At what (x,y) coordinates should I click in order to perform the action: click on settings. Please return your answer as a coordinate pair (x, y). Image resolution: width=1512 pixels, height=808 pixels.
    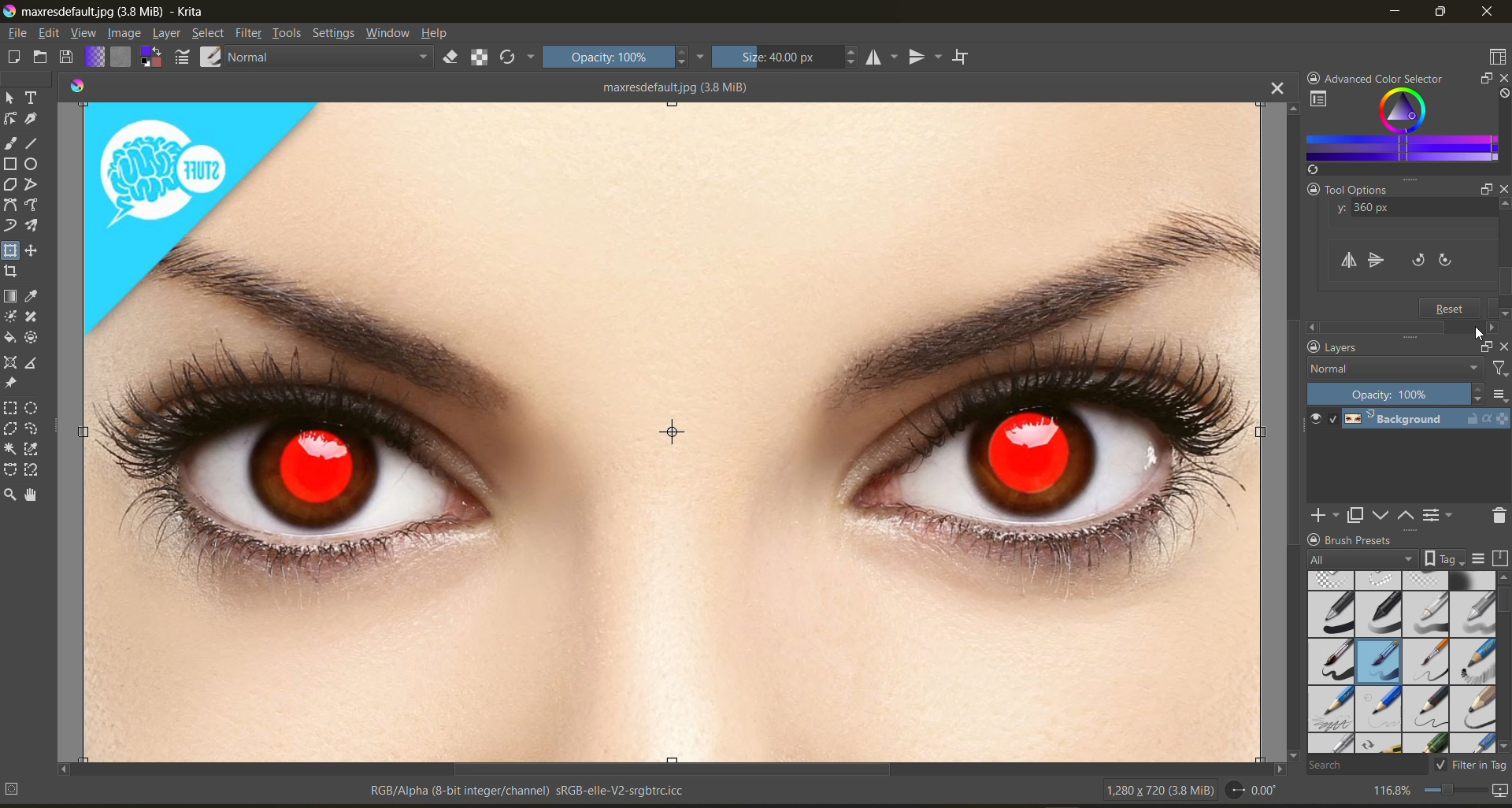
    Looking at the image, I should click on (336, 35).